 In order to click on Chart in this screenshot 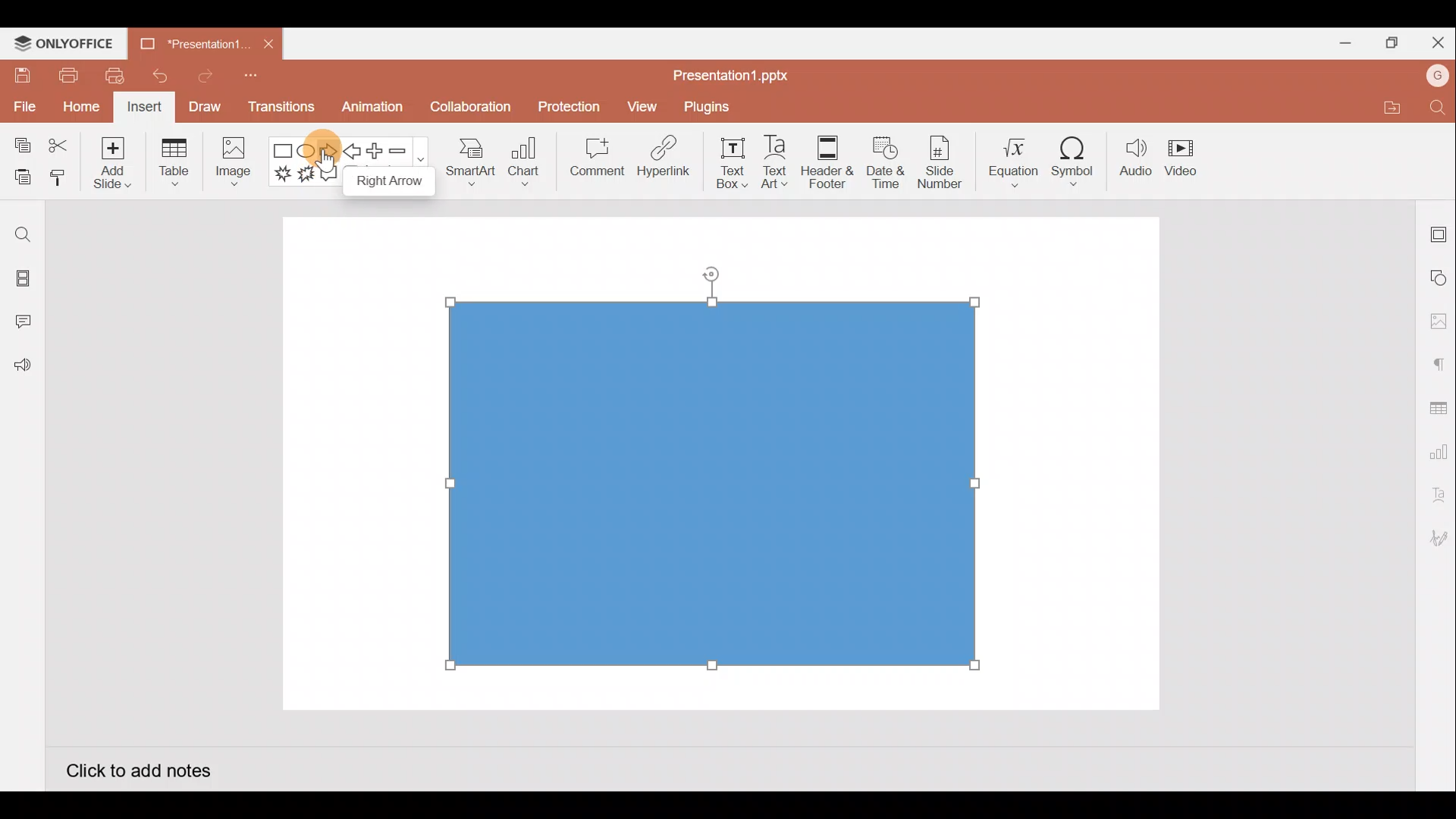, I will do `click(525, 160)`.